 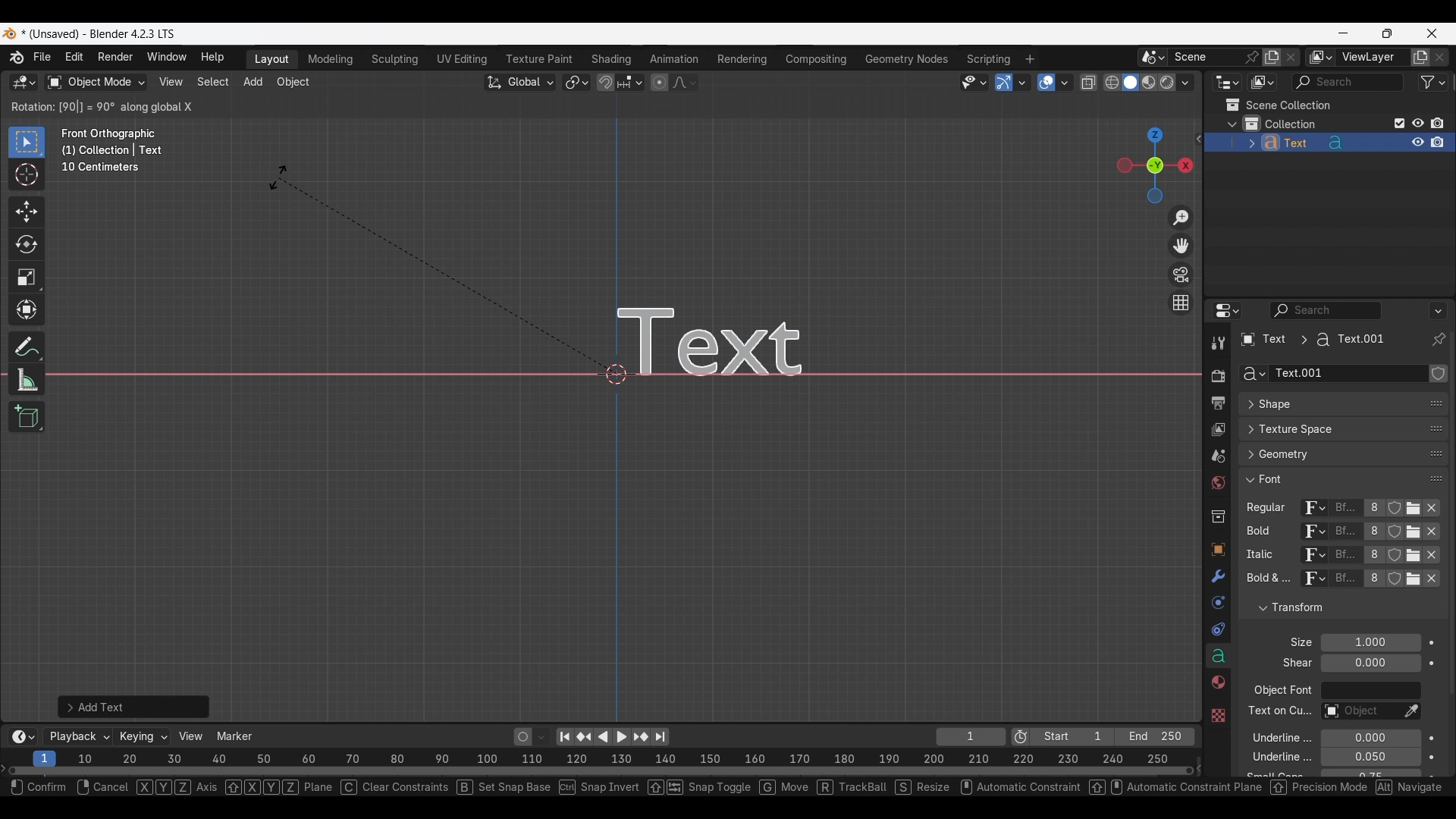 I want to click on Show gizmo, so click(x=1004, y=83).